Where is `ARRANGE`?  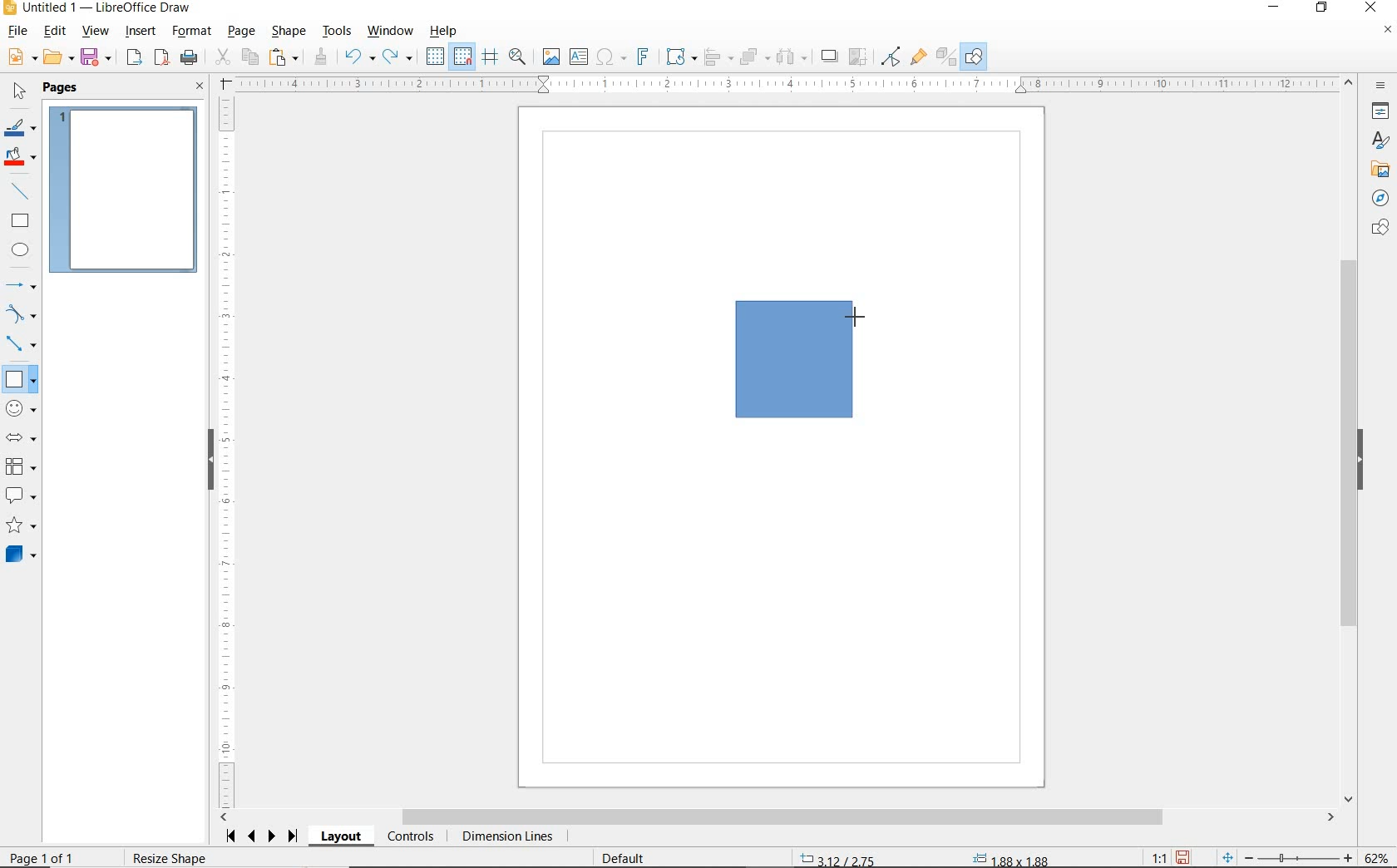 ARRANGE is located at coordinates (755, 56).